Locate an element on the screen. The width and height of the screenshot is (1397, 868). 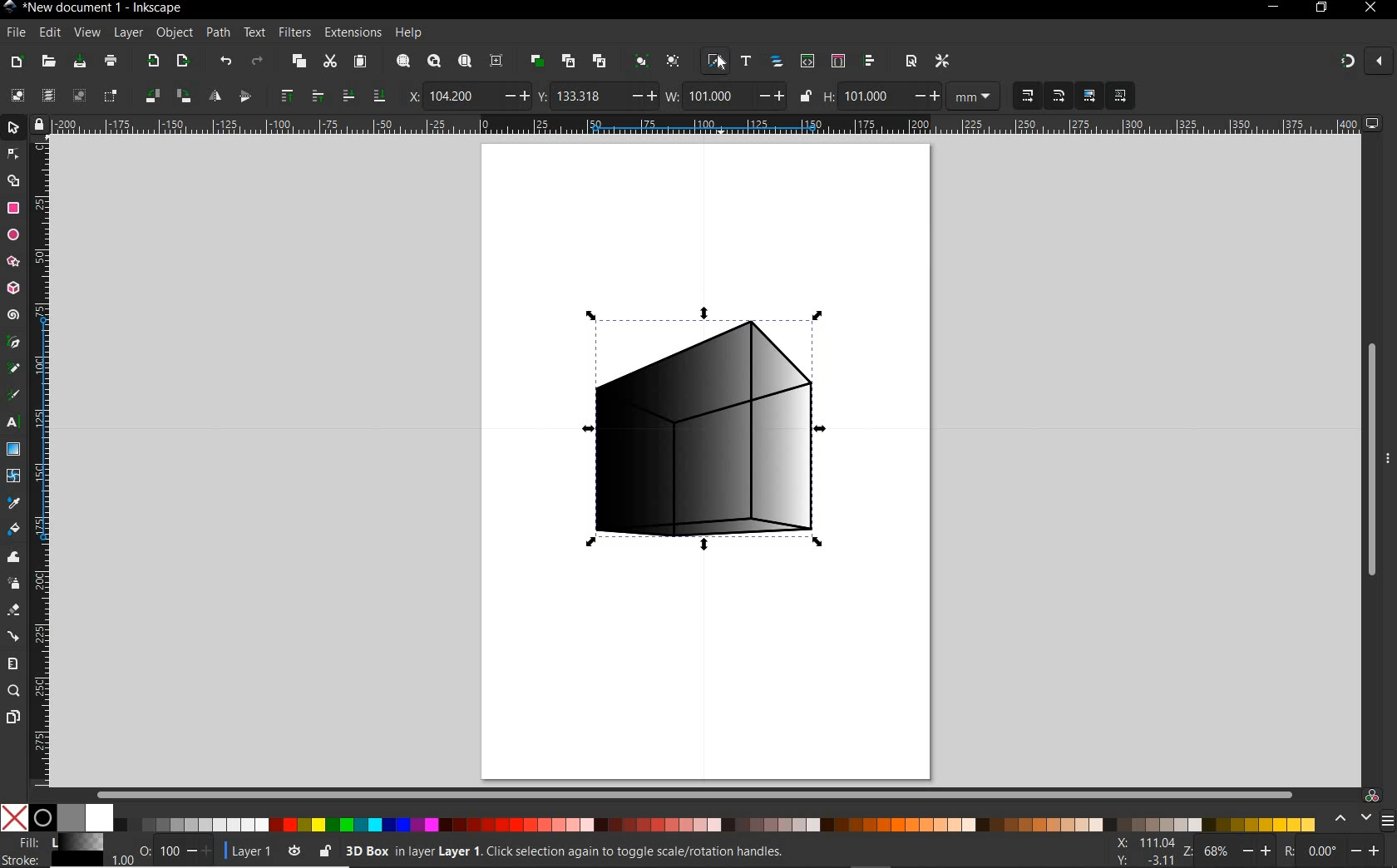
OBJECT ROTATE is located at coordinates (151, 95).